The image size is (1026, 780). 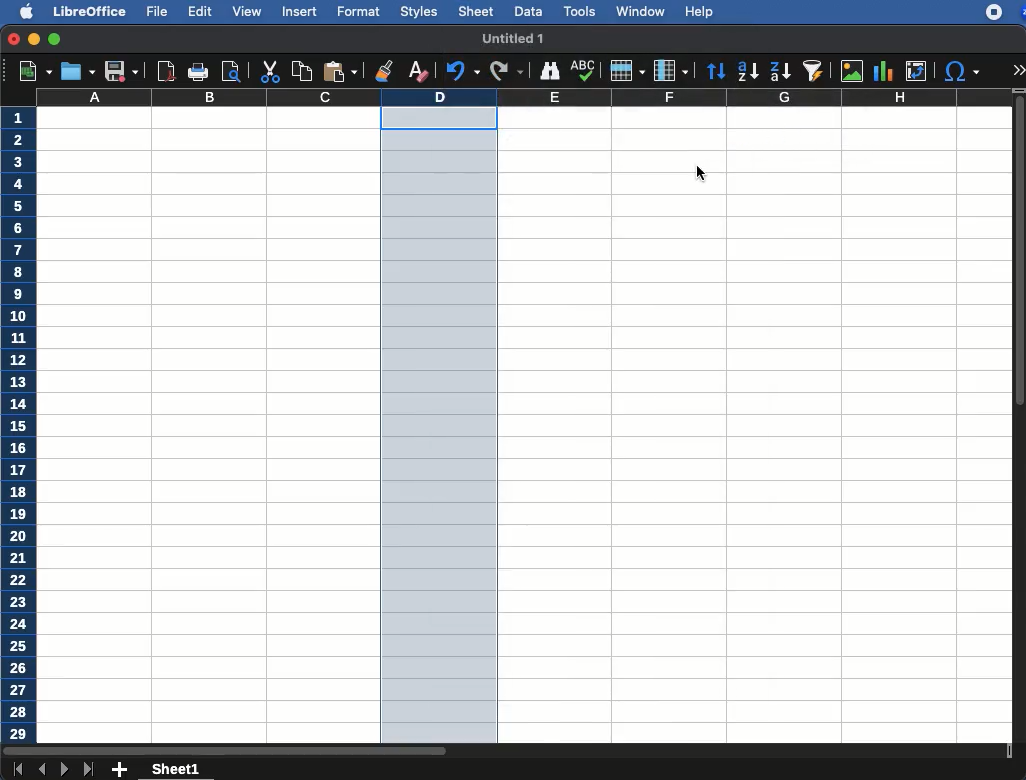 I want to click on close, so click(x=13, y=39).